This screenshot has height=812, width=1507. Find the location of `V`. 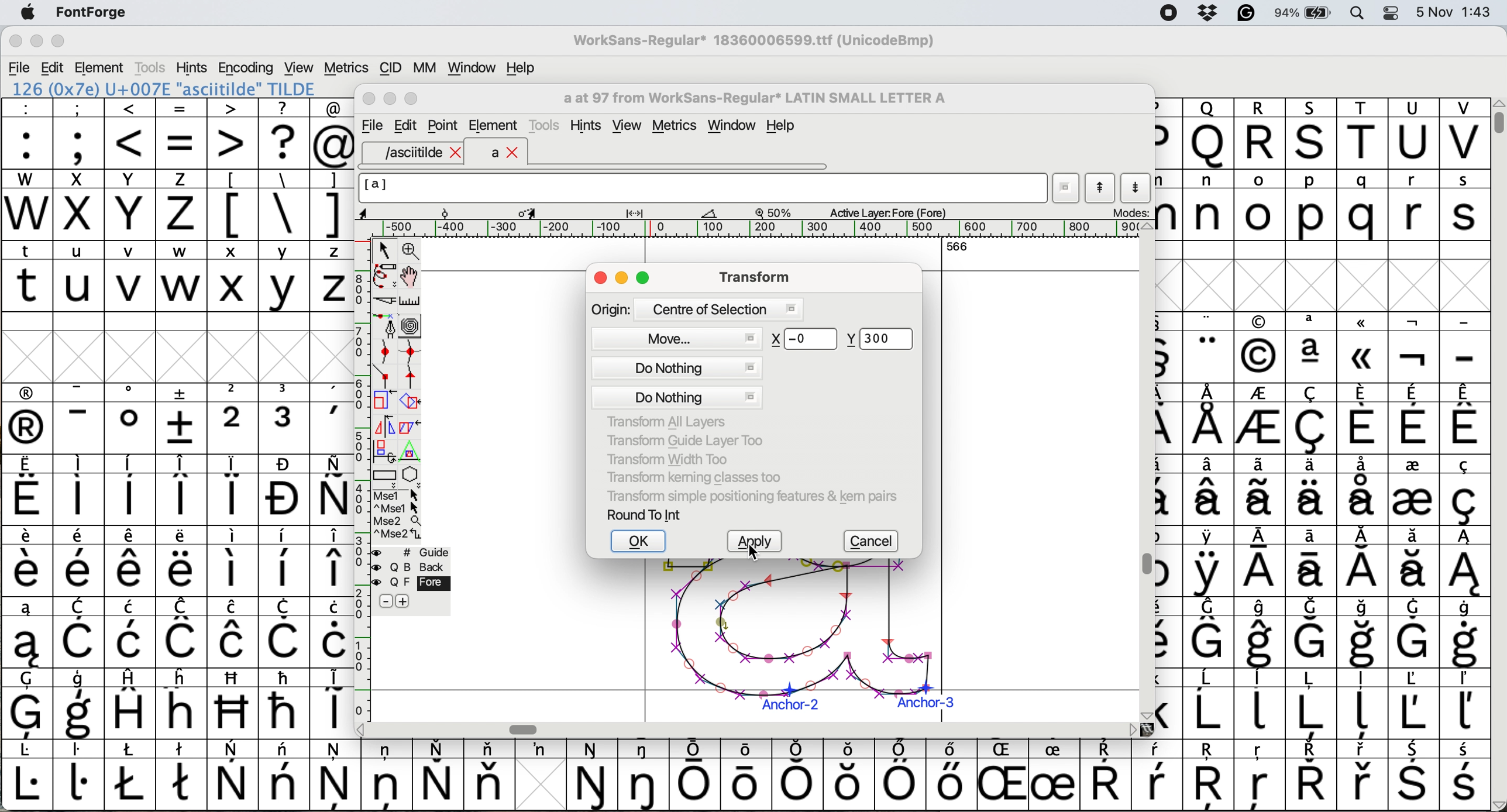

V is located at coordinates (1464, 134).